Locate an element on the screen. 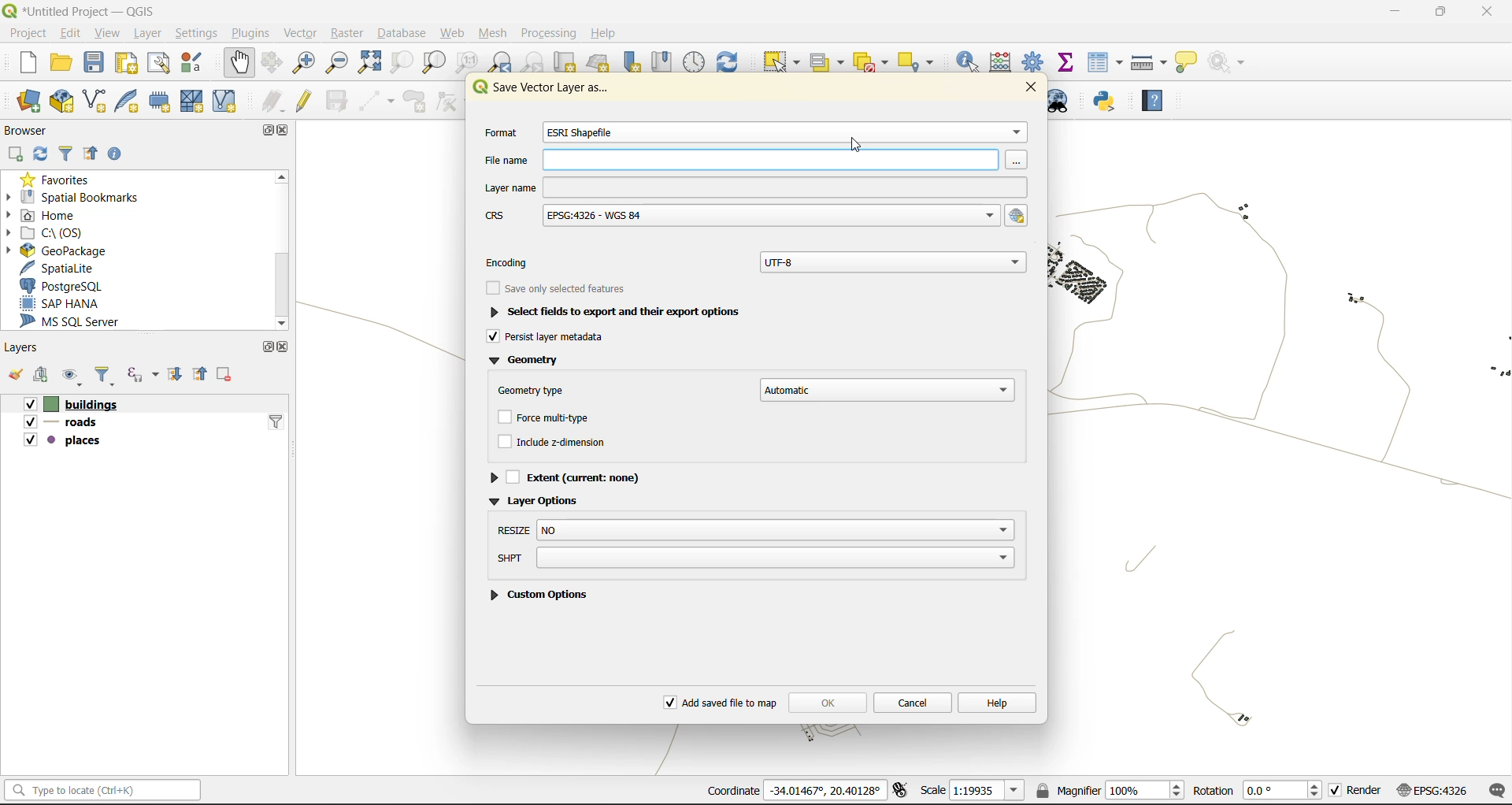 The width and height of the screenshot is (1512, 805). open is located at coordinates (13, 376).